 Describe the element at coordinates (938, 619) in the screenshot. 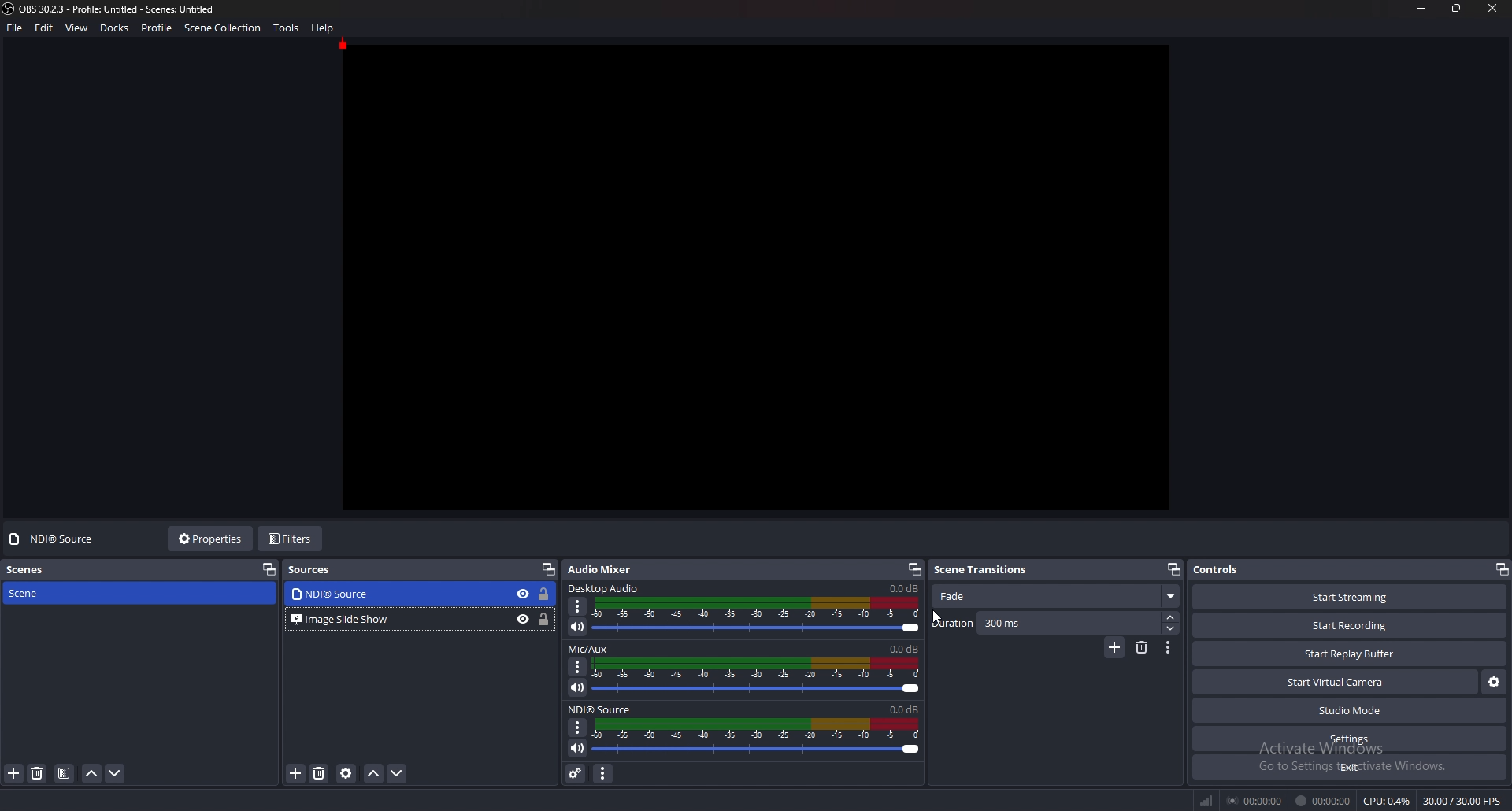

I see `cursor` at that location.